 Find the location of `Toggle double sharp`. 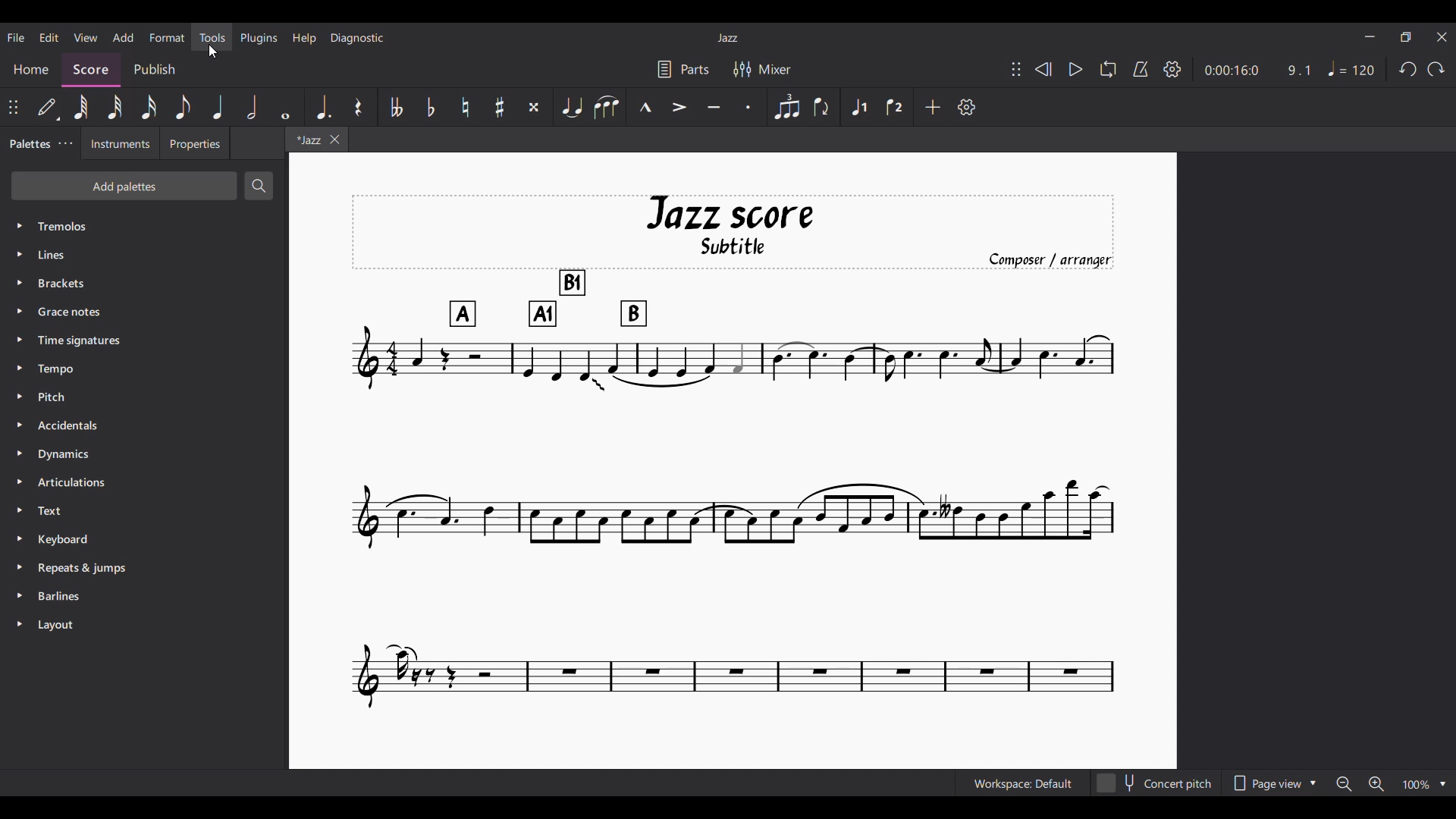

Toggle double sharp is located at coordinates (535, 108).